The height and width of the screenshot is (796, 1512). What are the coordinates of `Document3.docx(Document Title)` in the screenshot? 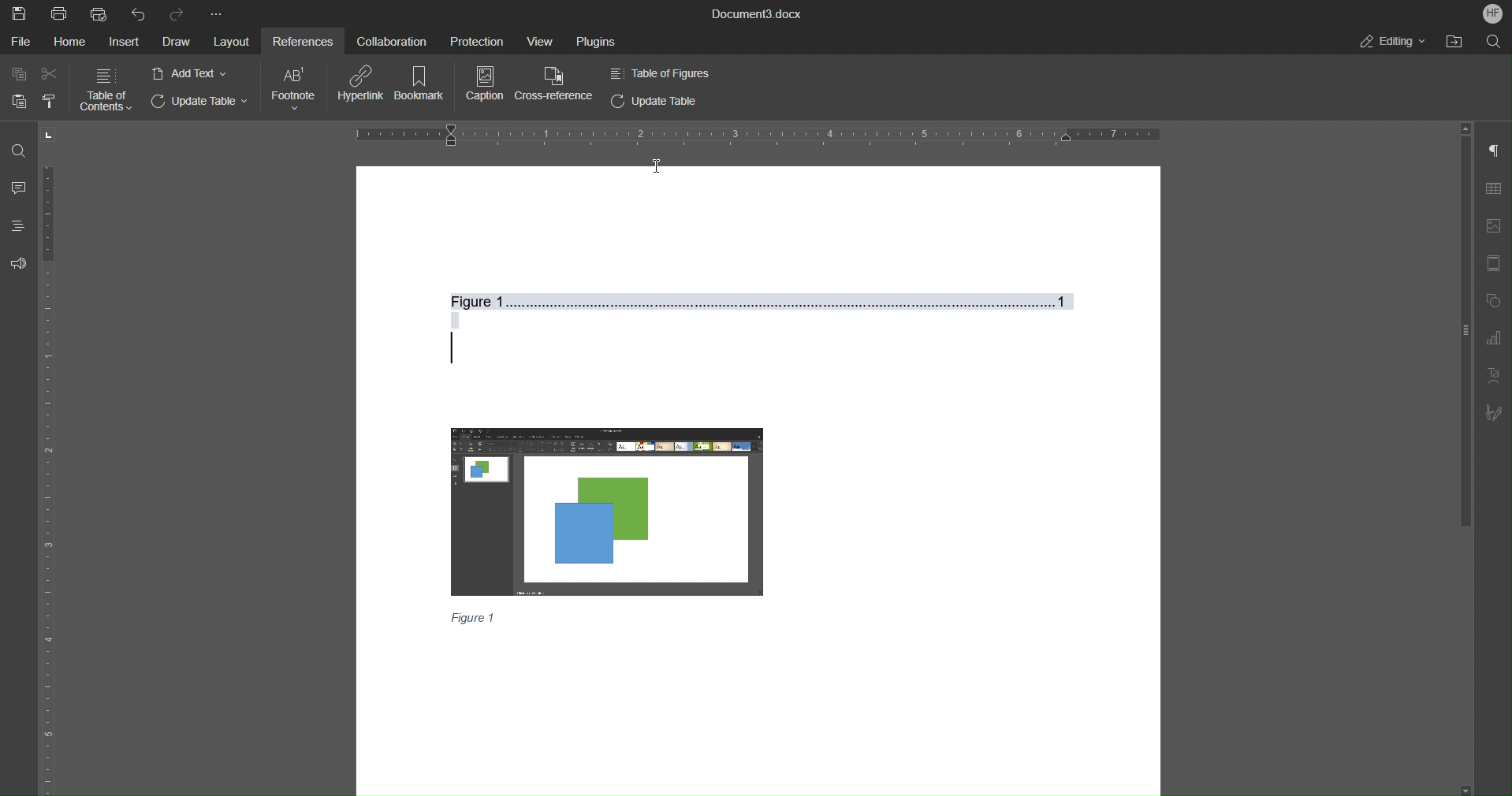 It's located at (755, 13).